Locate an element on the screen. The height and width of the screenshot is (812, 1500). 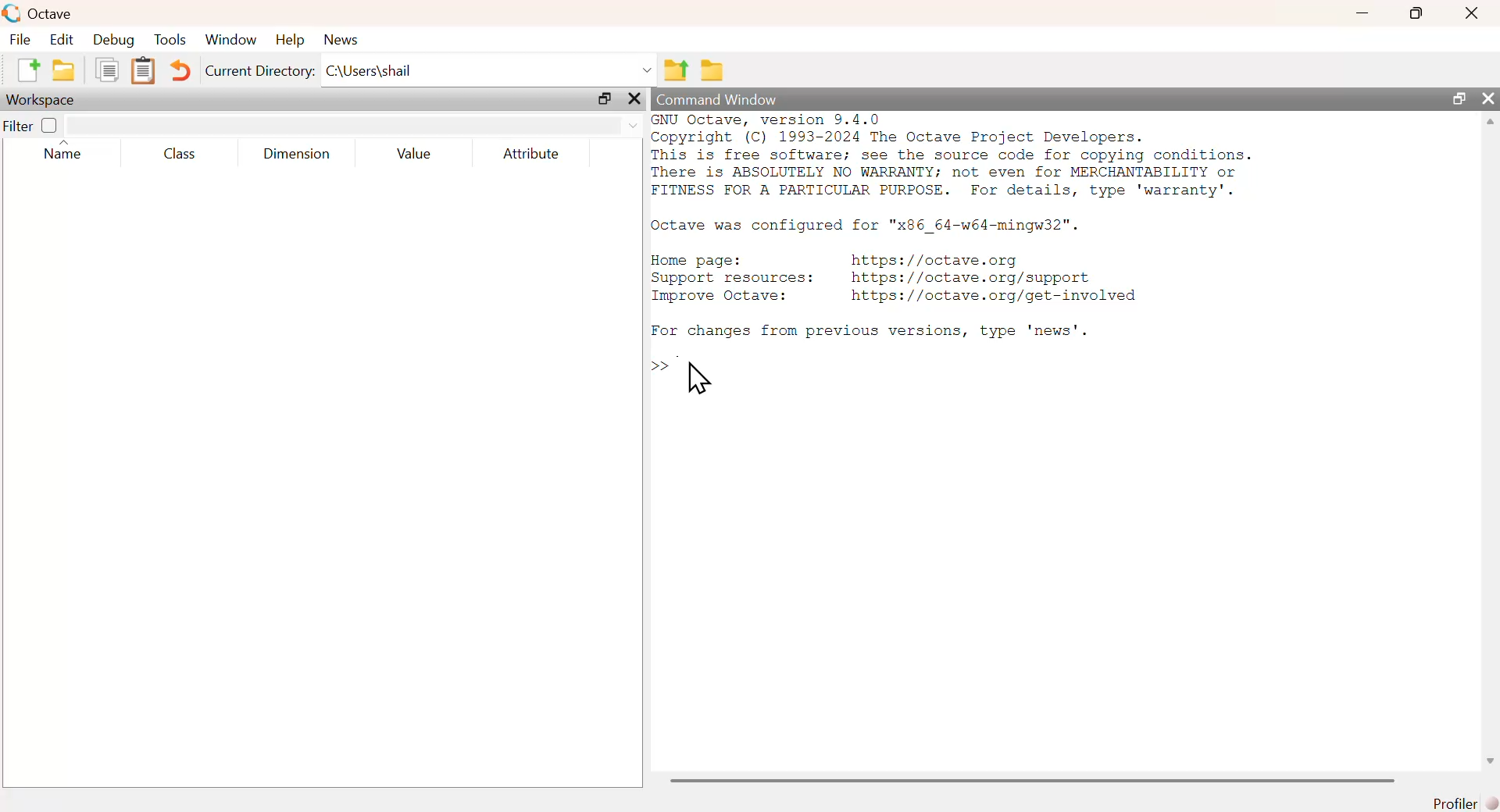
maximize is located at coordinates (1461, 99).